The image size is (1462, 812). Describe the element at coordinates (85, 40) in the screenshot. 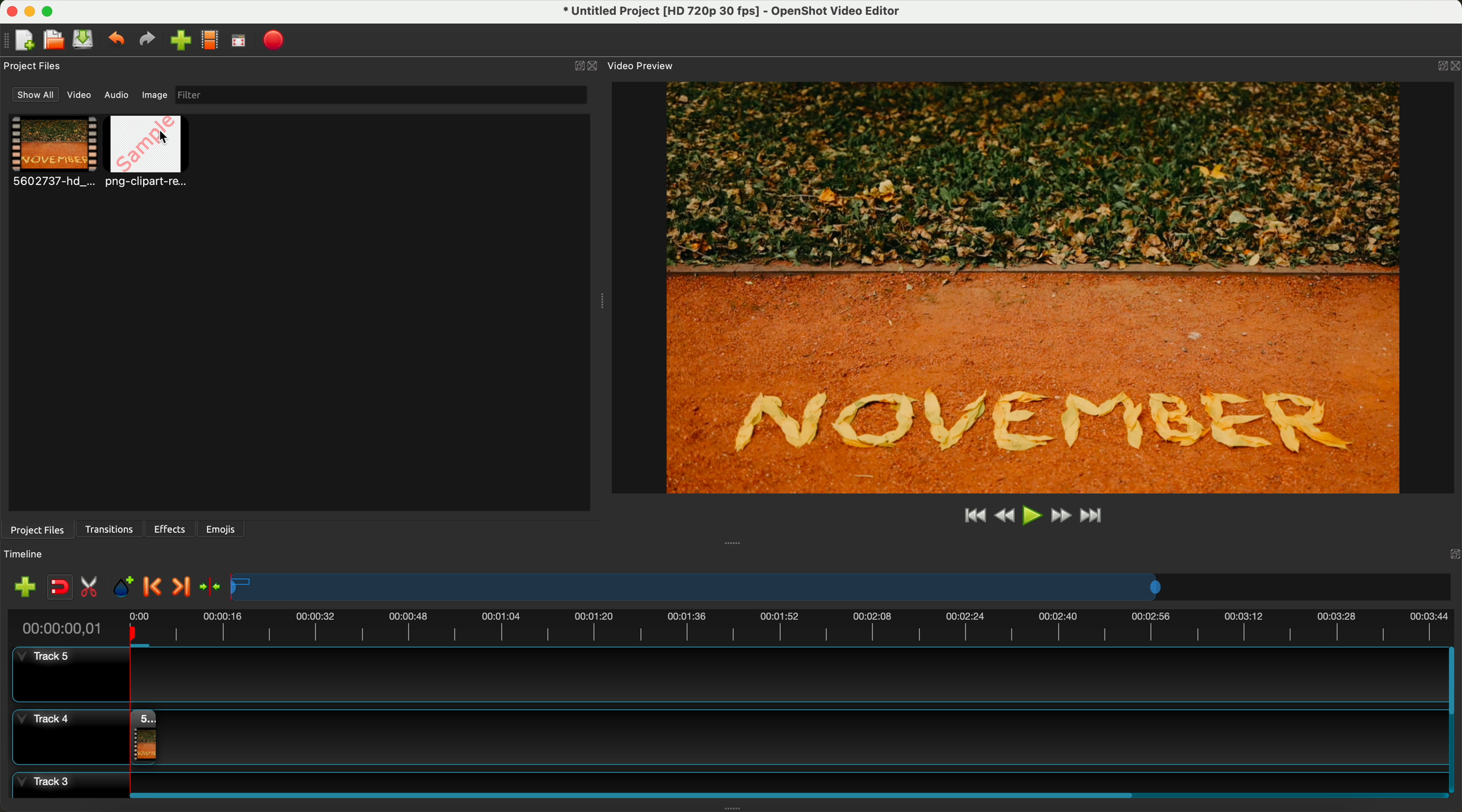

I see `save file` at that location.